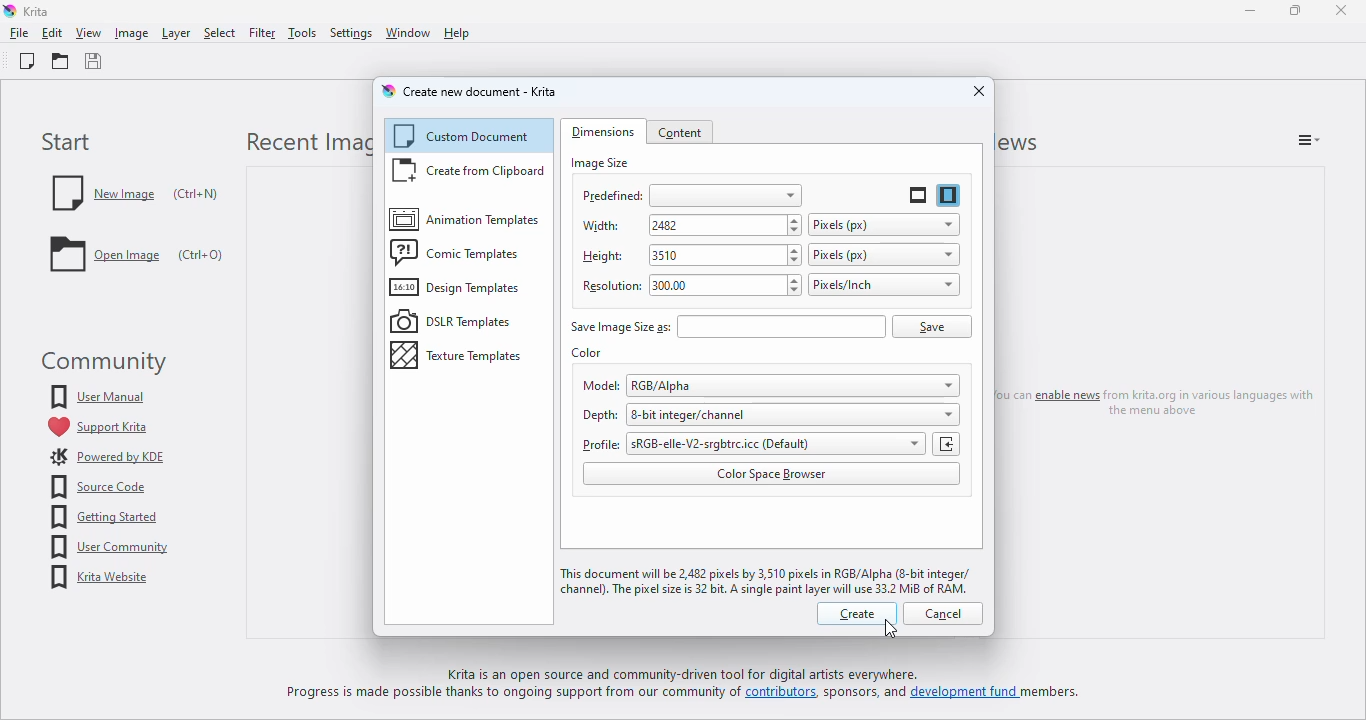  I want to click on help, so click(456, 33).